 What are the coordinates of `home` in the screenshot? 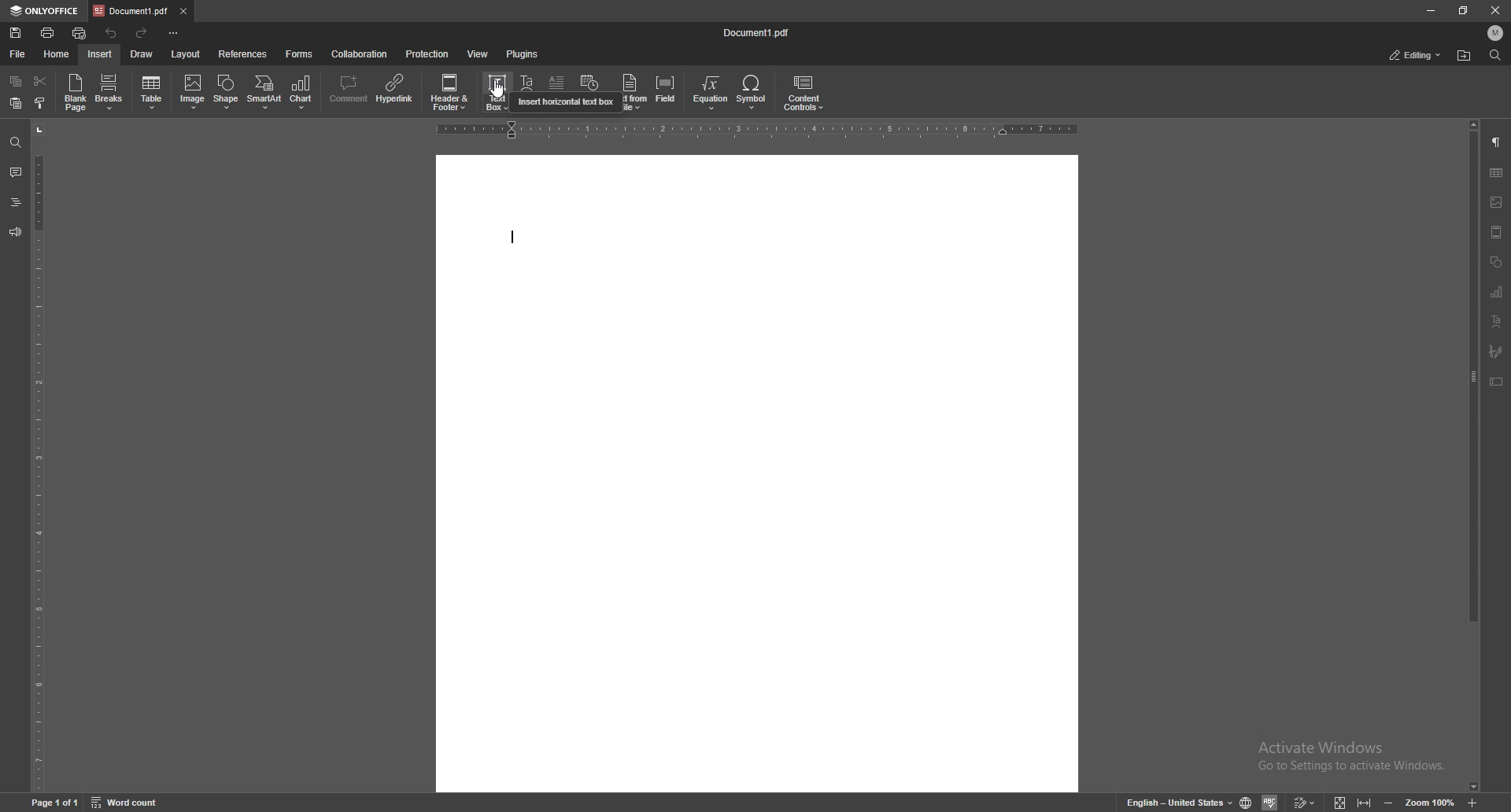 It's located at (57, 55).